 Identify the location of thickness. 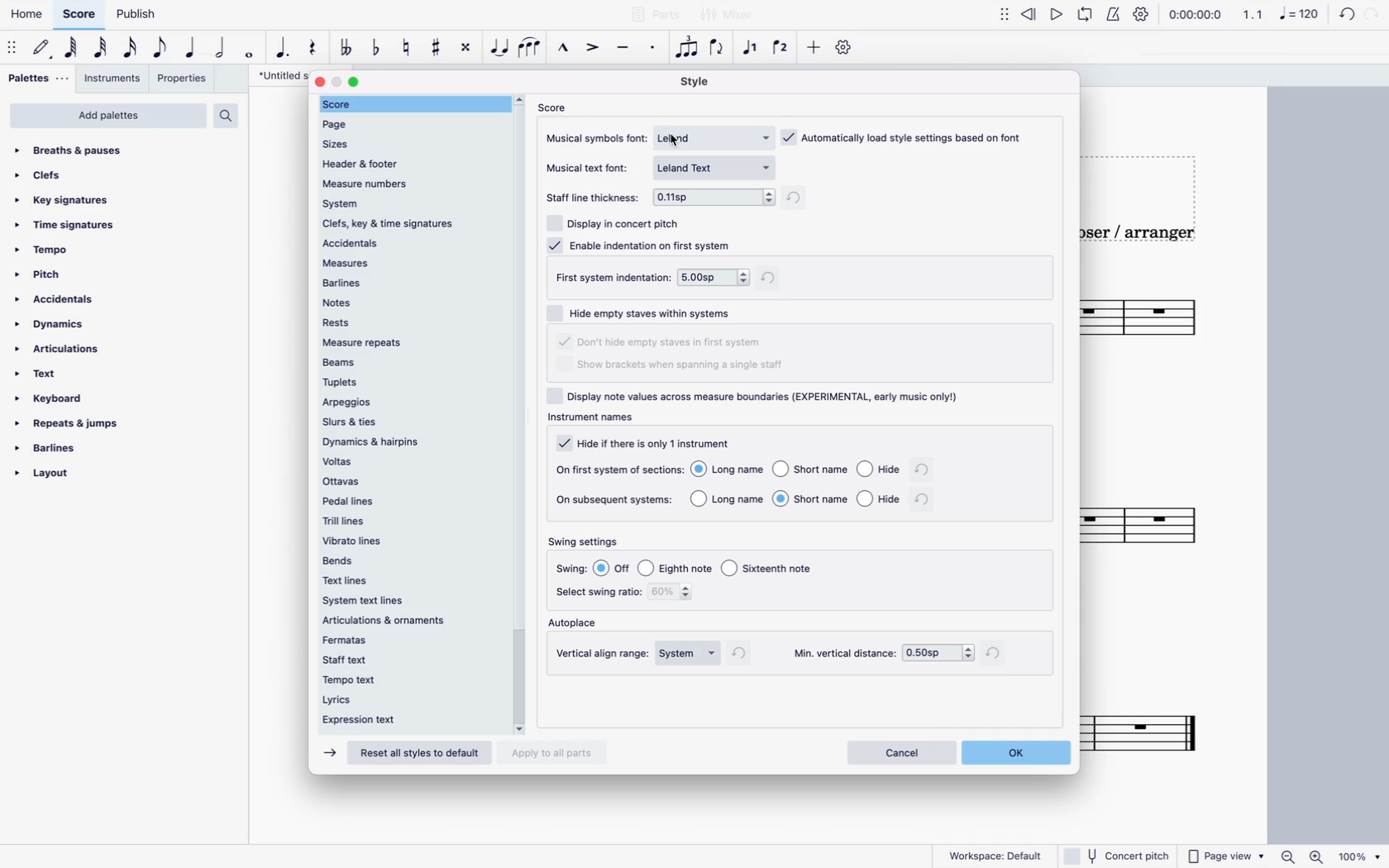
(714, 195).